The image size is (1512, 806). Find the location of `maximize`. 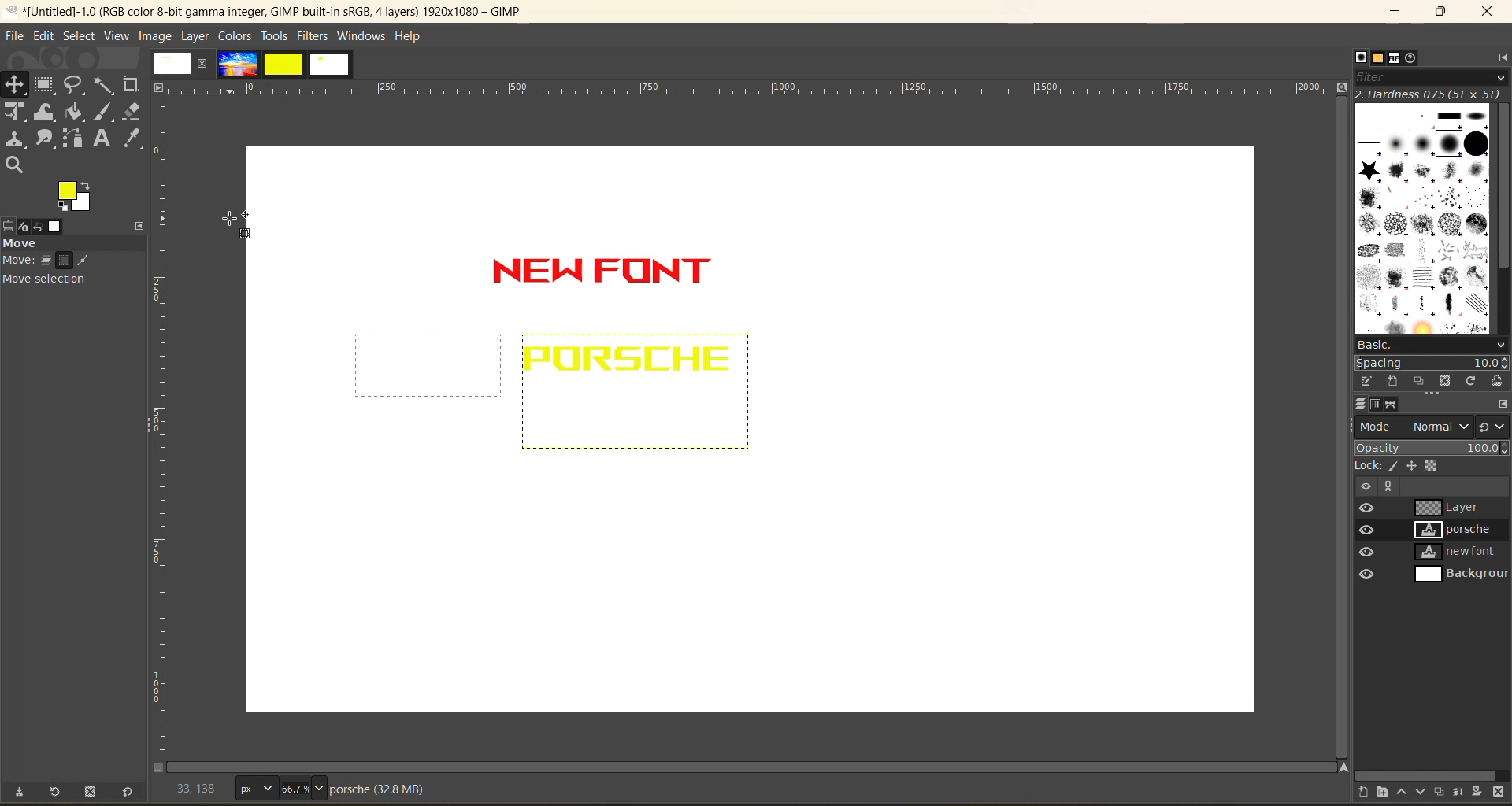

maximize is located at coordinates (1437, 13).